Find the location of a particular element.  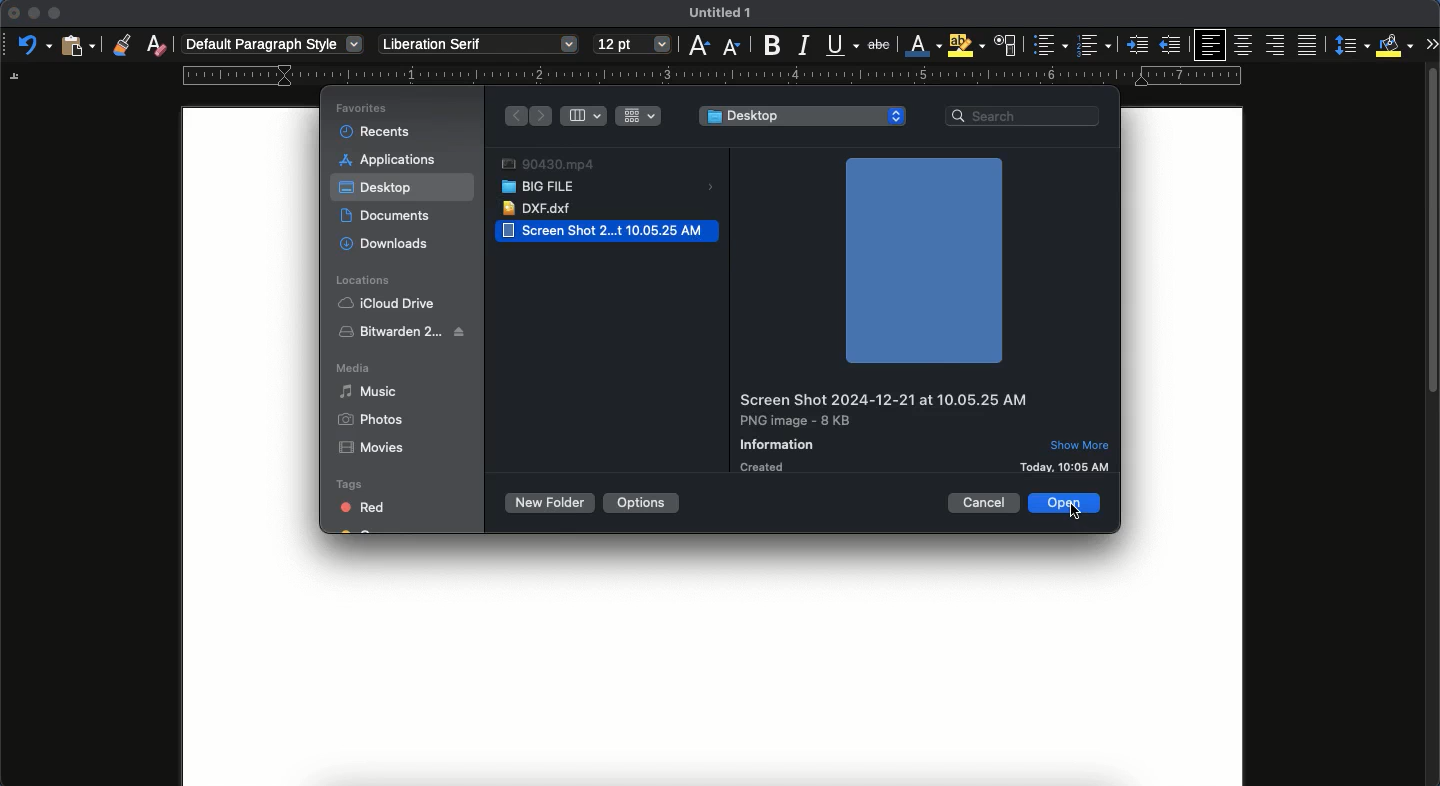

movies is located at coordinates (375, 447).